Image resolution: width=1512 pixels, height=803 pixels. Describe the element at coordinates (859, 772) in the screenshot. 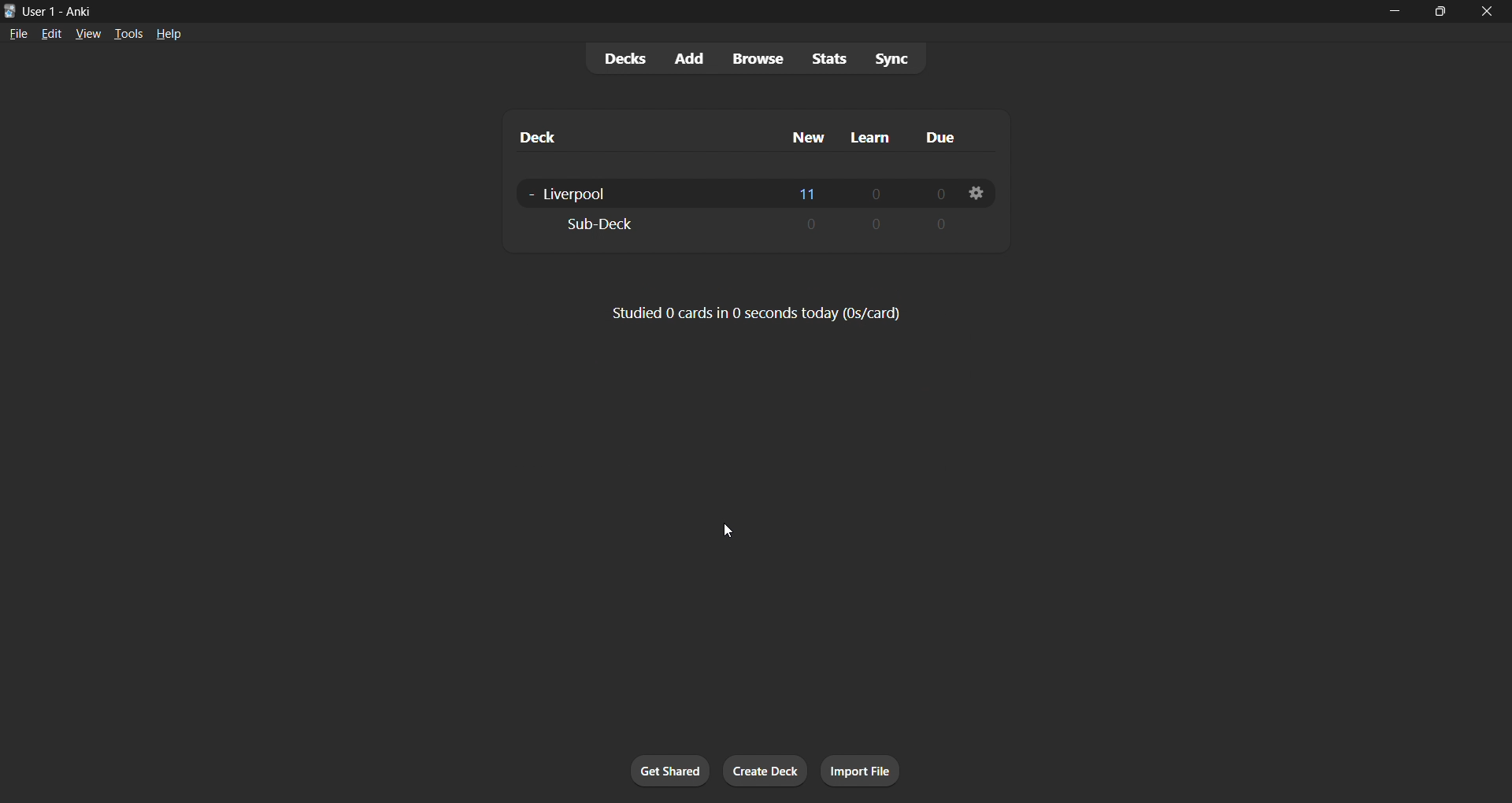

I see `import file` at that location.